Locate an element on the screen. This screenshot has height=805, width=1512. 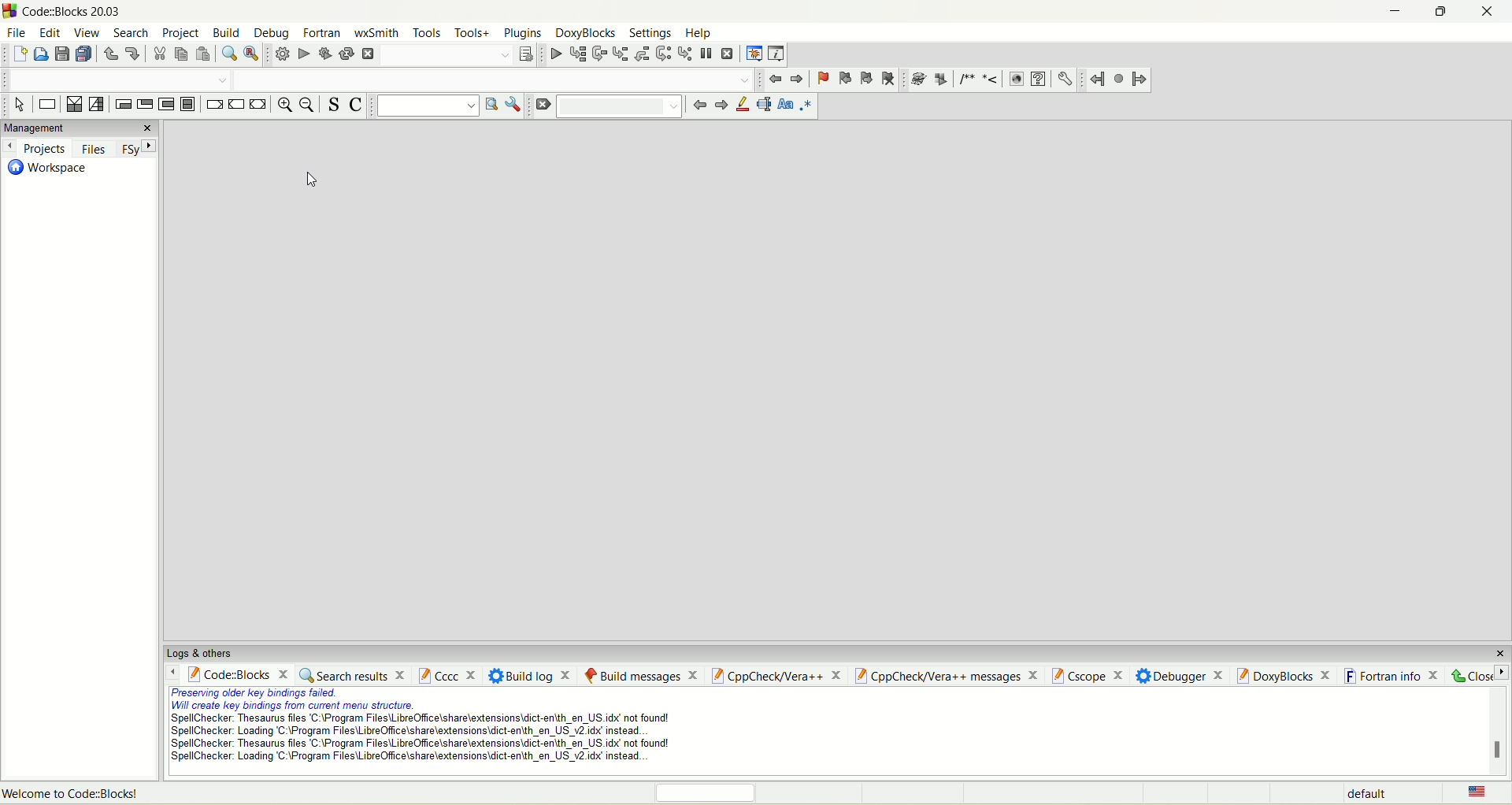
new is located at coordinates (17, 54).